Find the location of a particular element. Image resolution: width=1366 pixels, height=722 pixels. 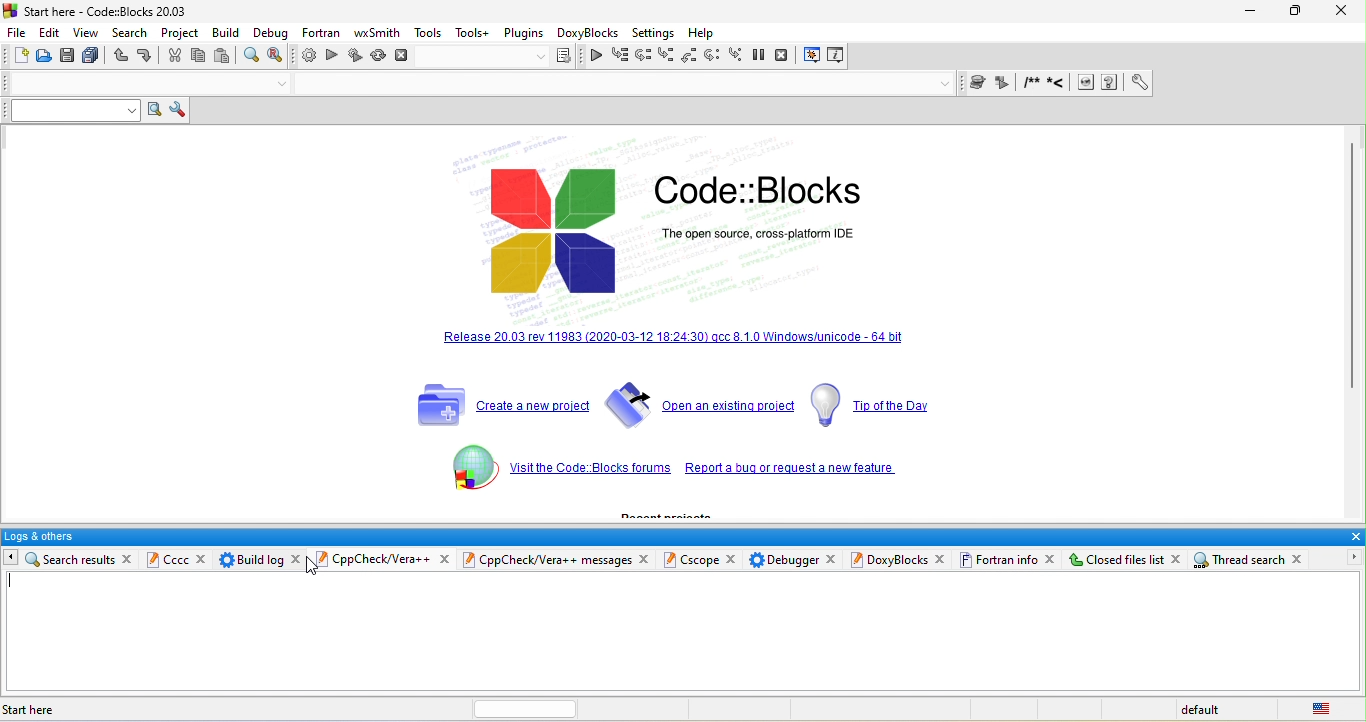

cccc is located at coordinates (98, 559).